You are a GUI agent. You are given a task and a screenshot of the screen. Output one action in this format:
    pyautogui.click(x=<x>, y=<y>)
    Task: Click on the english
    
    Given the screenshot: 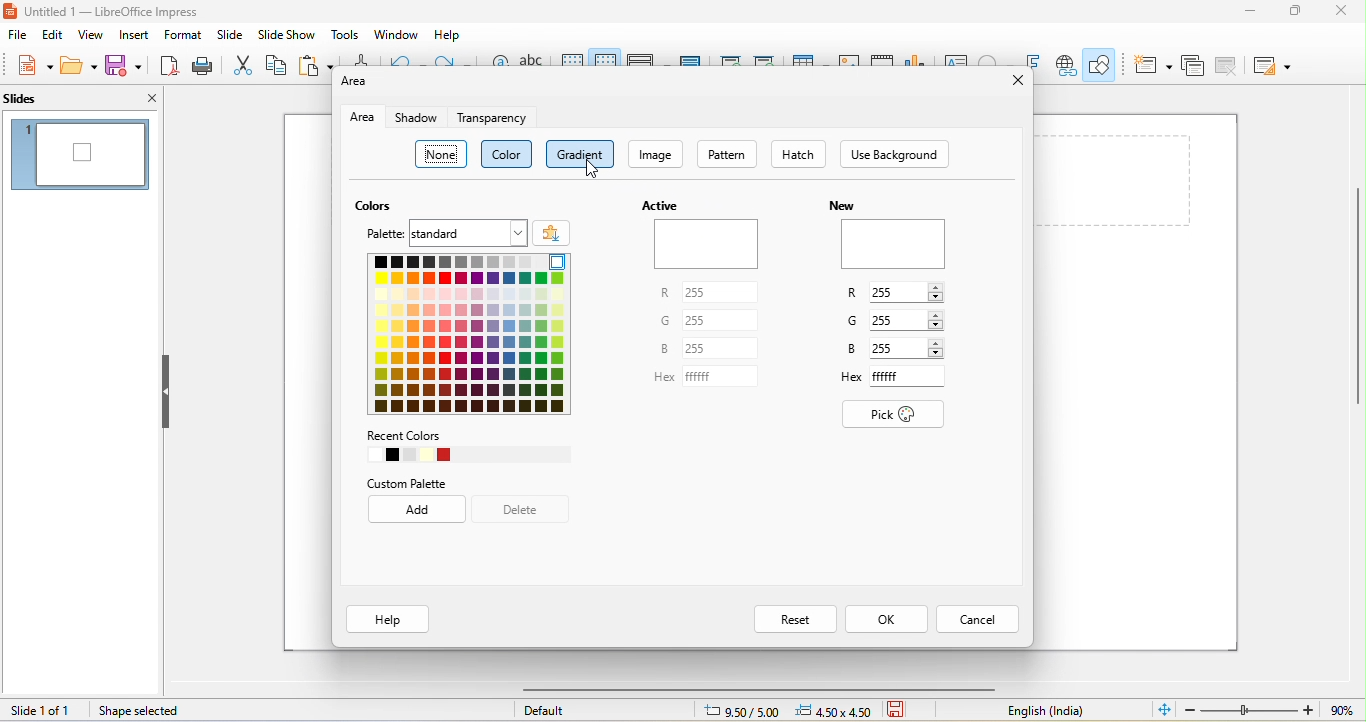 What is the action you would take?
    pyautogui.click(x=1048, y=711)
    